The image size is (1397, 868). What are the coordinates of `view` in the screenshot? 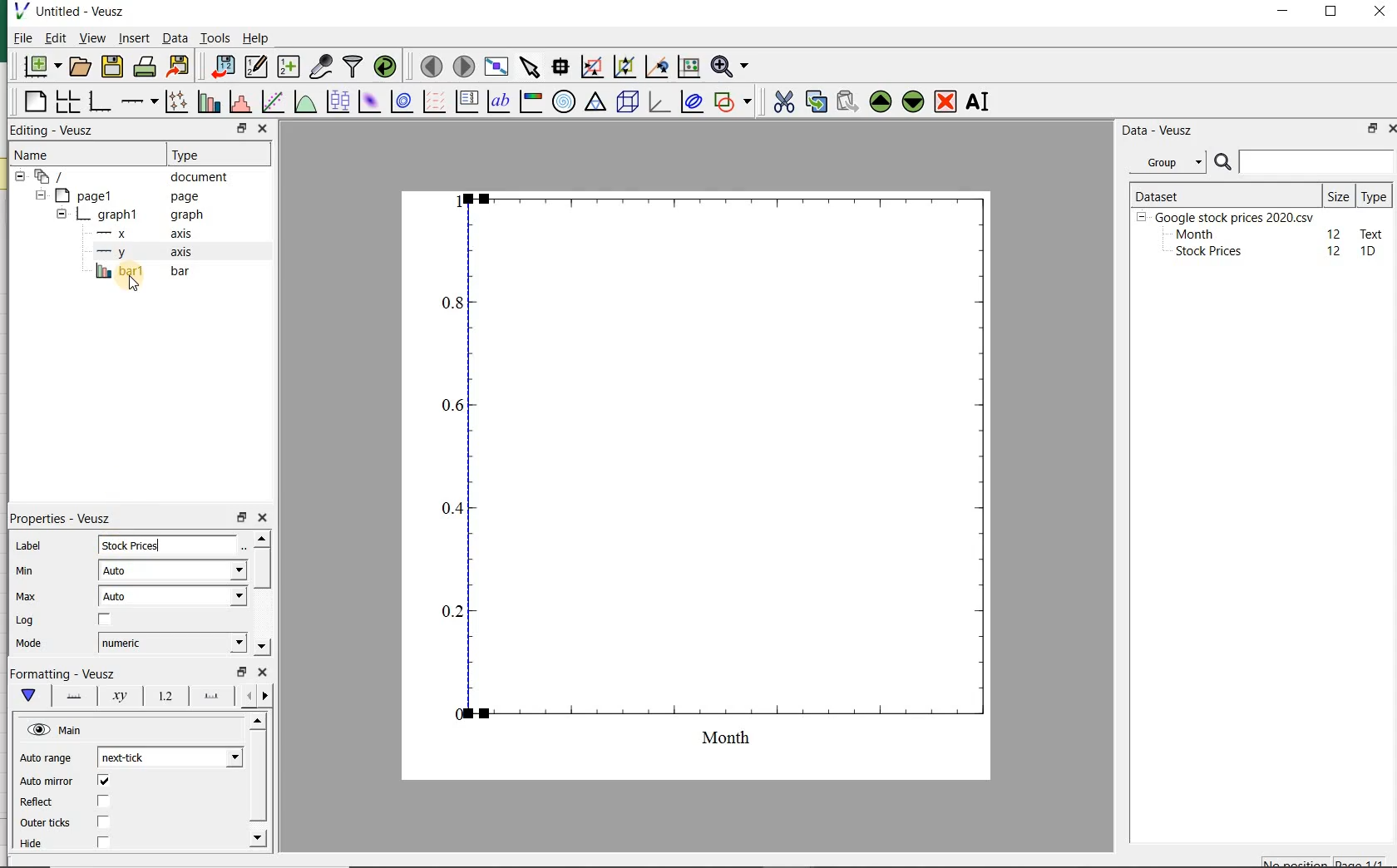 It's located at (92, 39).